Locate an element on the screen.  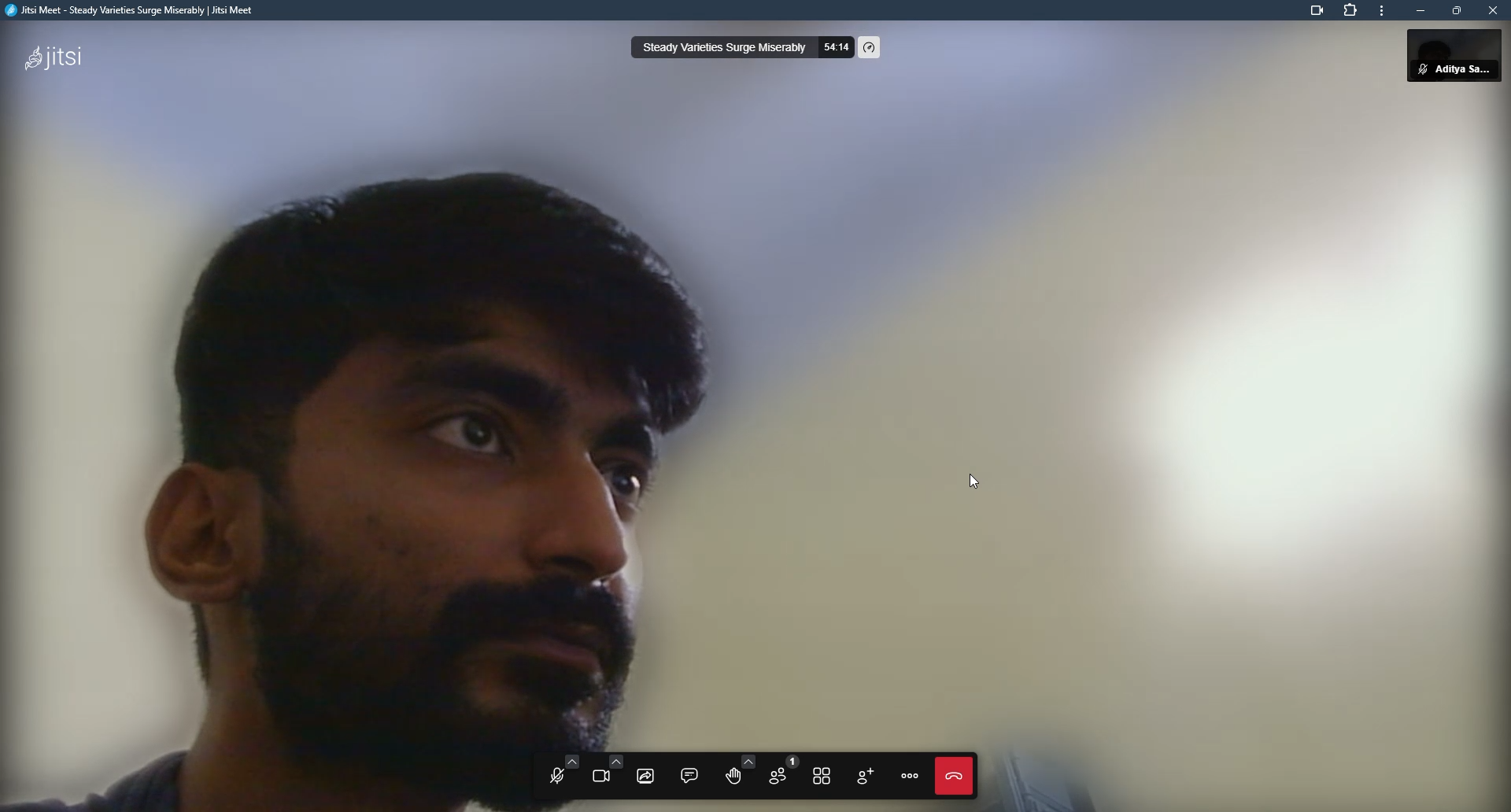
jitsi is located at coordinates (52, 55).